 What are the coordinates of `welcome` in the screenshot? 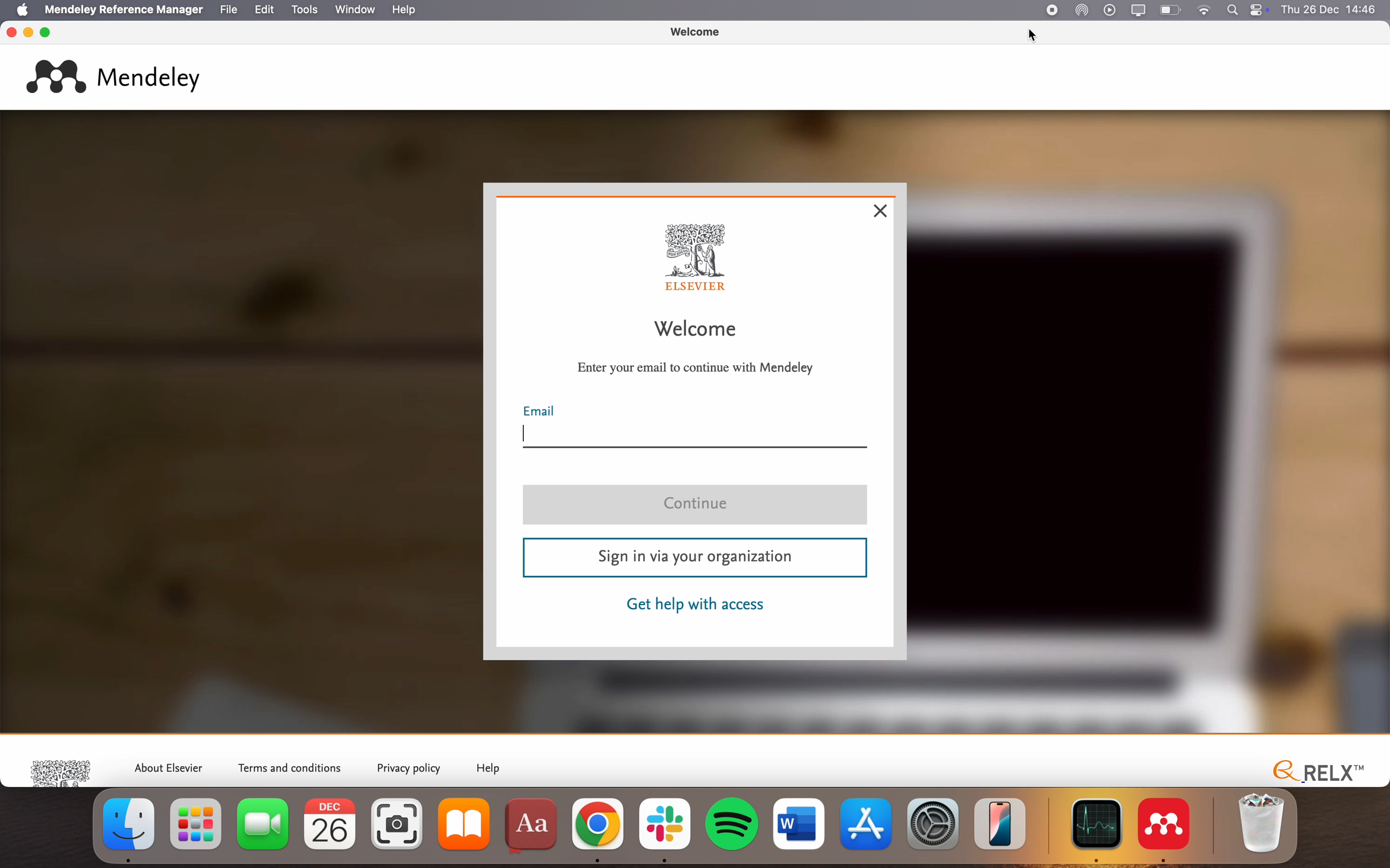 It's located at (694, 31).